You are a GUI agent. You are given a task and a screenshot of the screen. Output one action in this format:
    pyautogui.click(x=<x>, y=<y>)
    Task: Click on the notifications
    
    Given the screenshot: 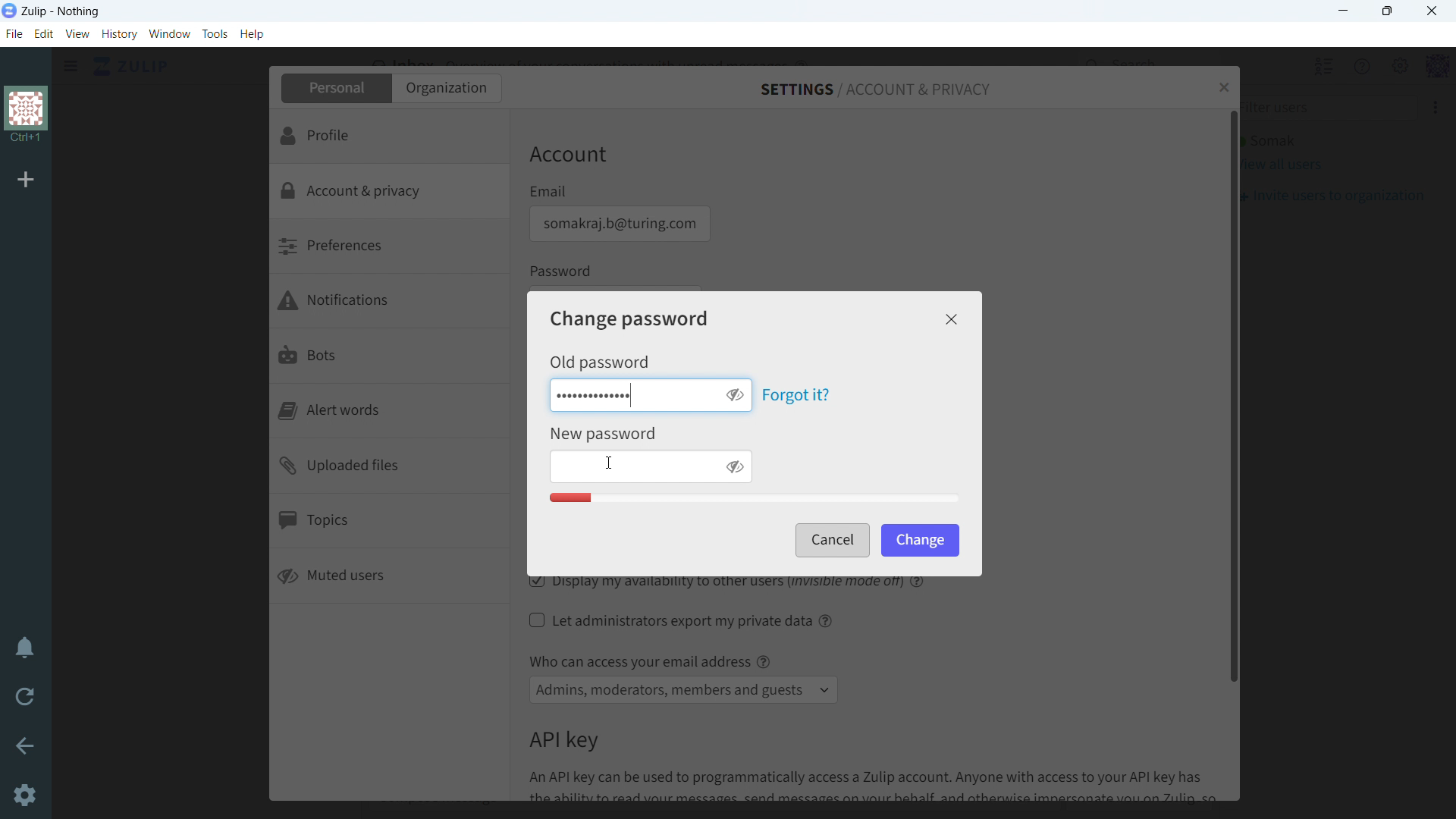 What is the action you would take?
    pyautogui.click(x=391, y=303)
    